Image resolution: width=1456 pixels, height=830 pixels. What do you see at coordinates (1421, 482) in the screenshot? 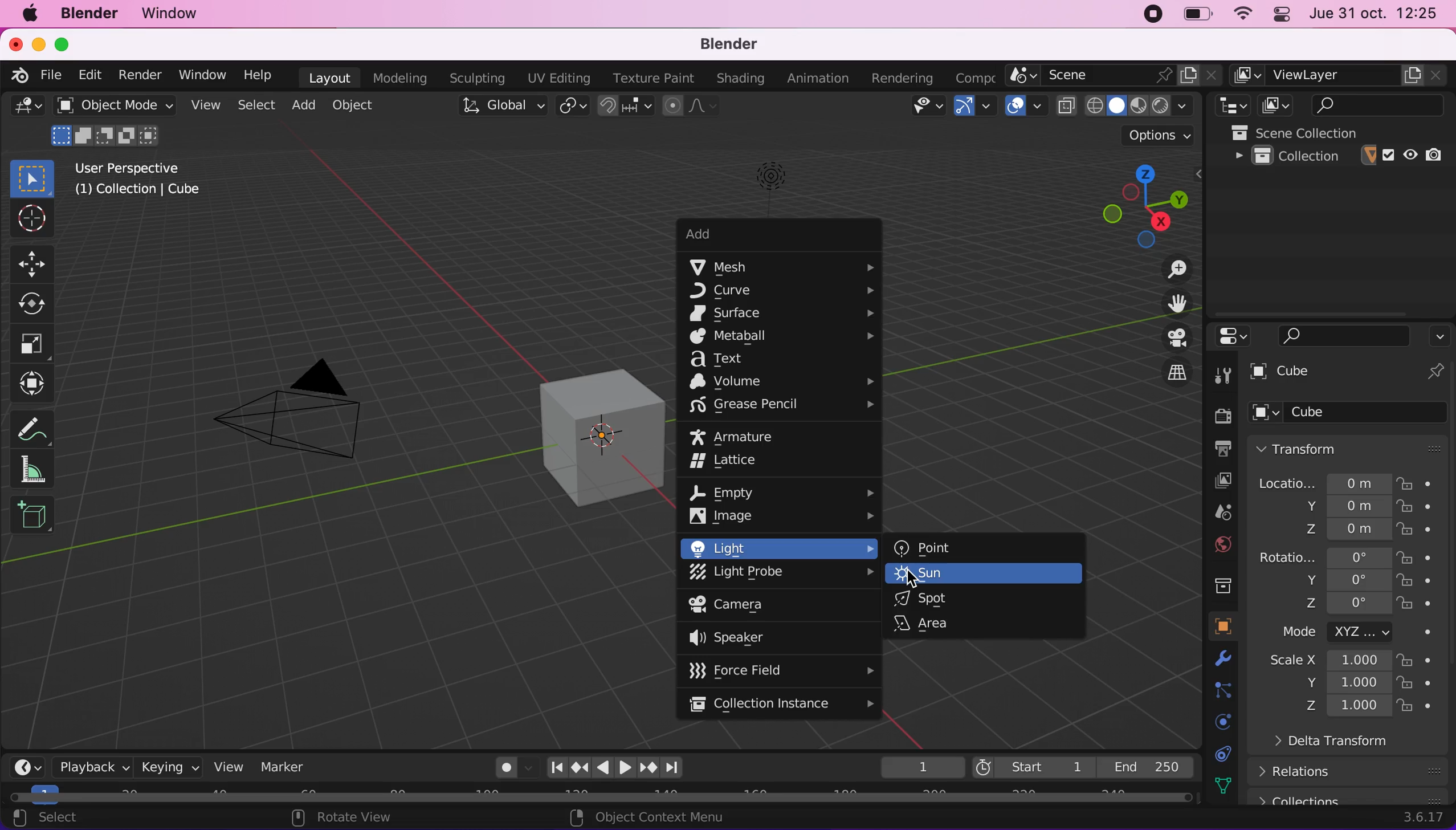
I see `lock` at bounding box center [1421, 482].